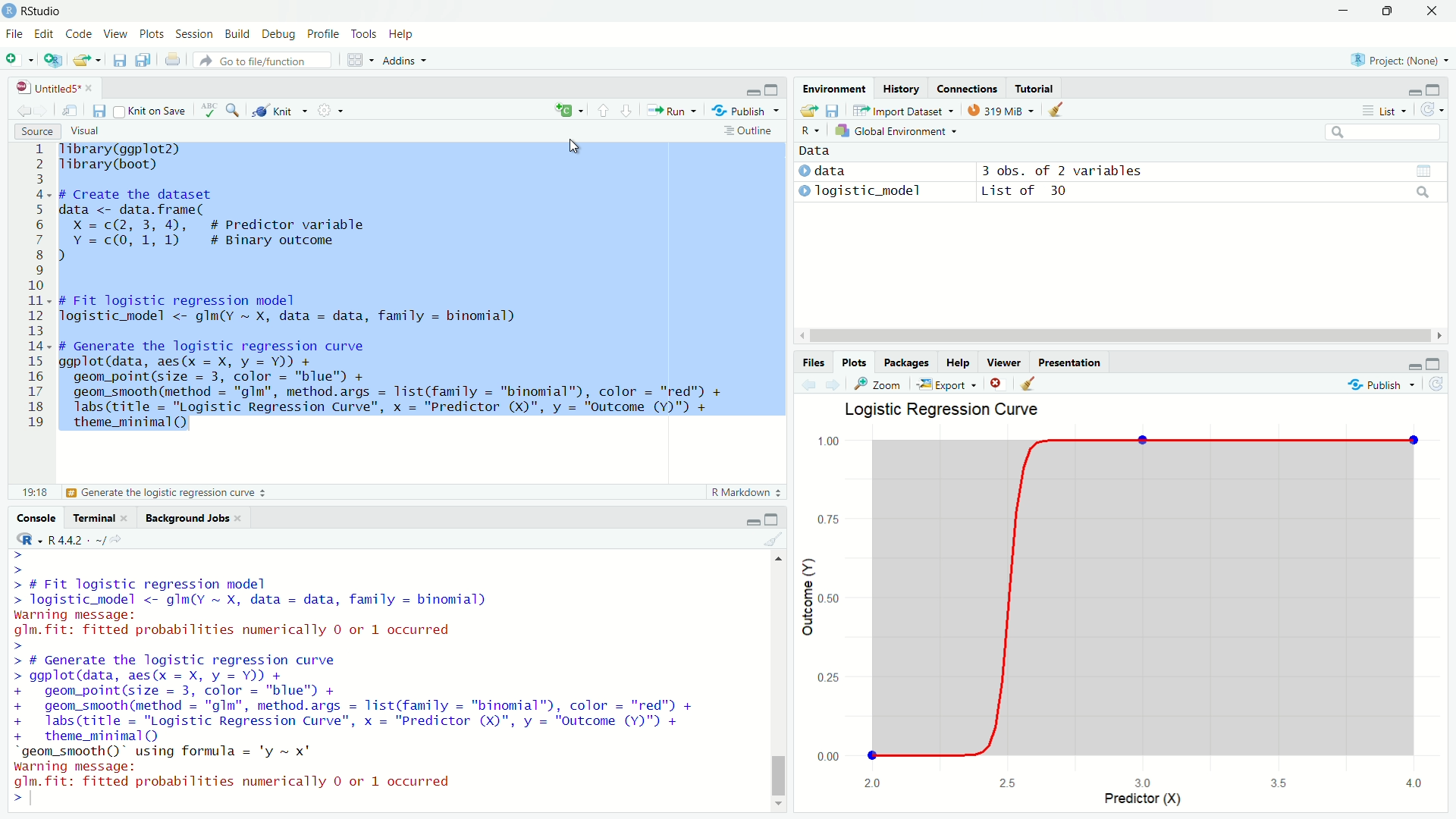 The width and height of the screenshot is (1456, 819). I want to click on Console, so click(36, 517).